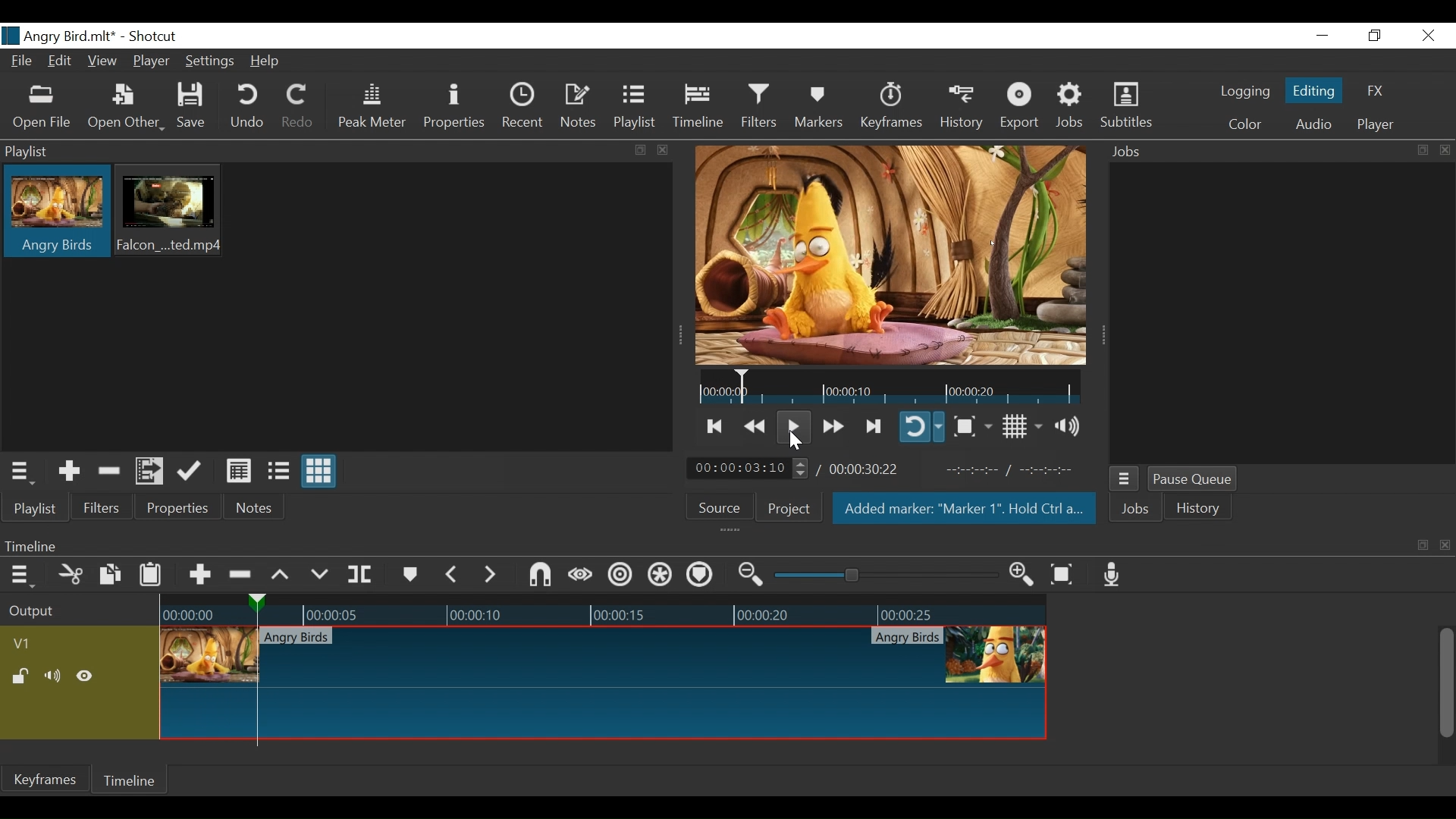  Describe the element at coordinates (1023, 108) in the screenshot. I see `Export` at that location.